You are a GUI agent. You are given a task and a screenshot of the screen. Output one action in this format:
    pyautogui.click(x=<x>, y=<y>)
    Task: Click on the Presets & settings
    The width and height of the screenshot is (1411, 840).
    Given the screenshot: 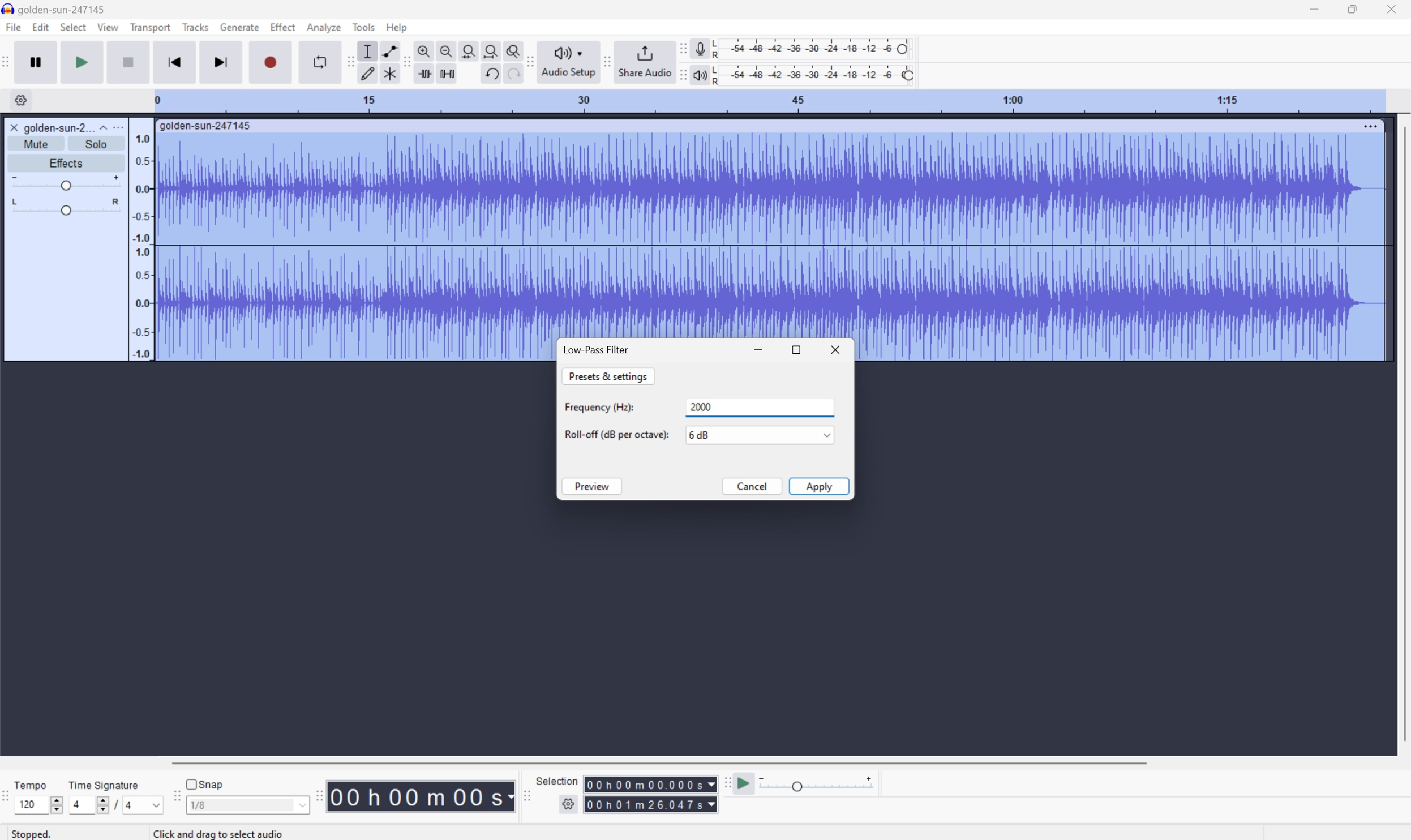 What is the action you would take?
    pyautogui.click(x=608, y=376)
    